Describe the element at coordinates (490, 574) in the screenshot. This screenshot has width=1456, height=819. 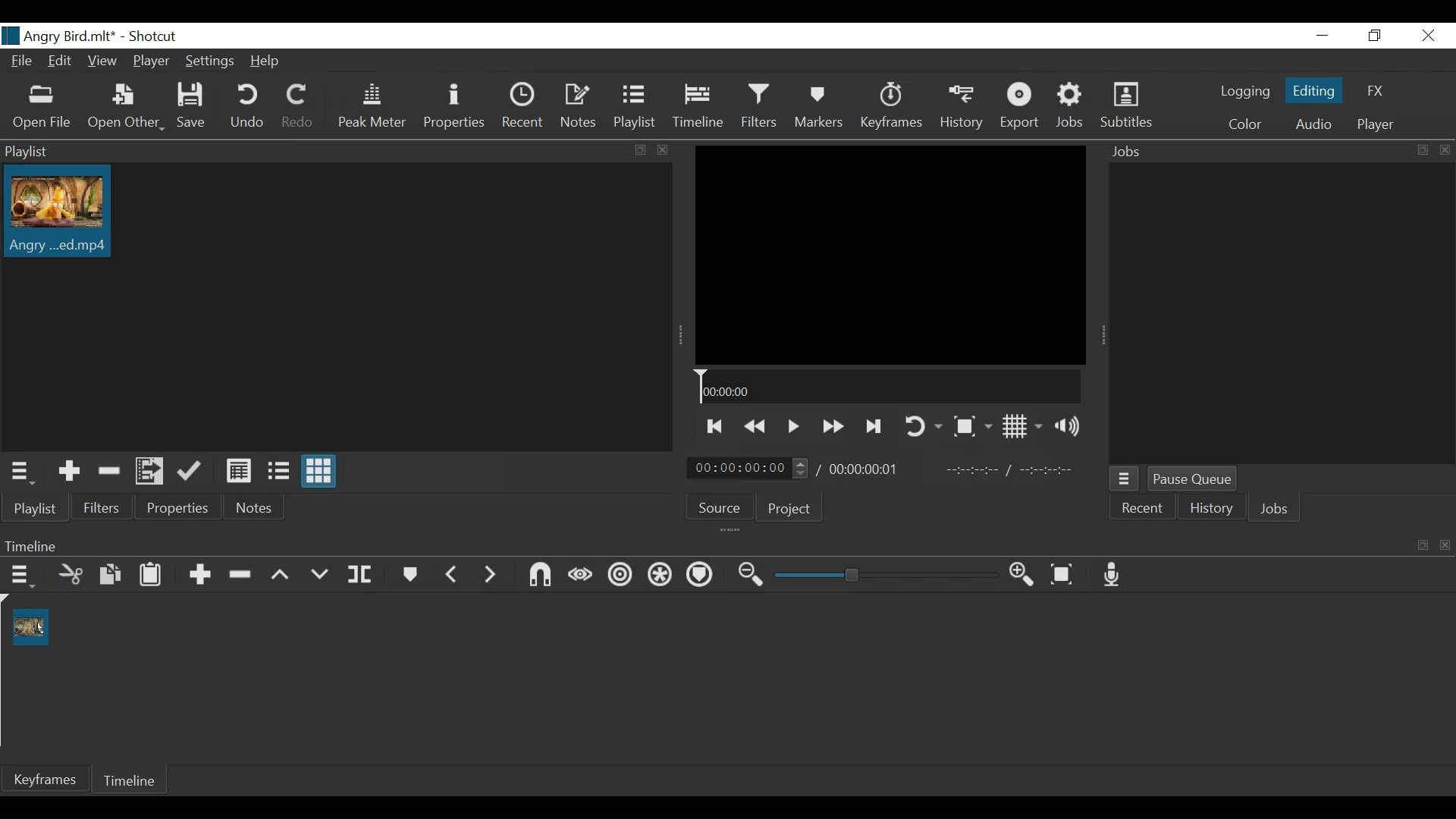
I see `next marker` at that location.